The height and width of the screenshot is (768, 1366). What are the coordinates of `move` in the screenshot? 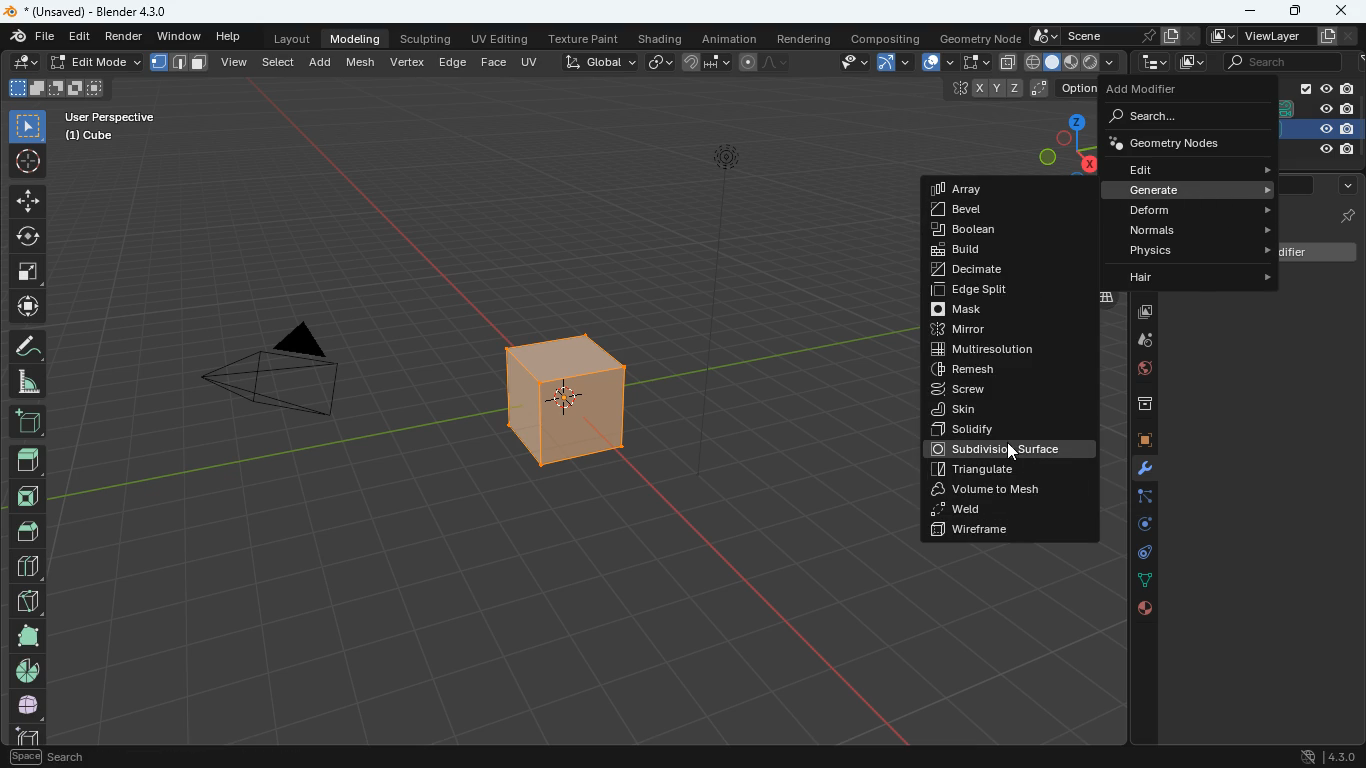 It's located at (28, 201).